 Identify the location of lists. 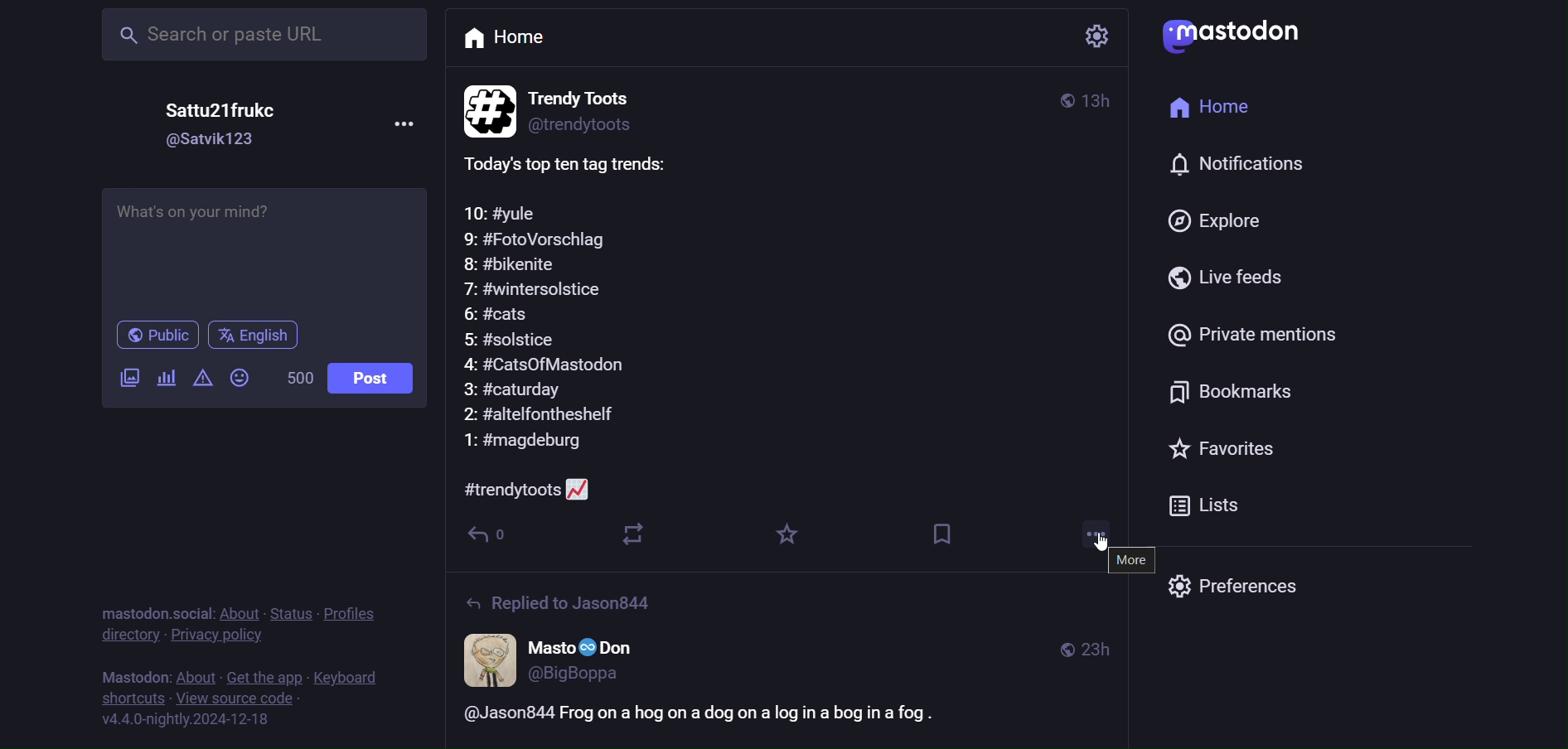
(1222, 505).